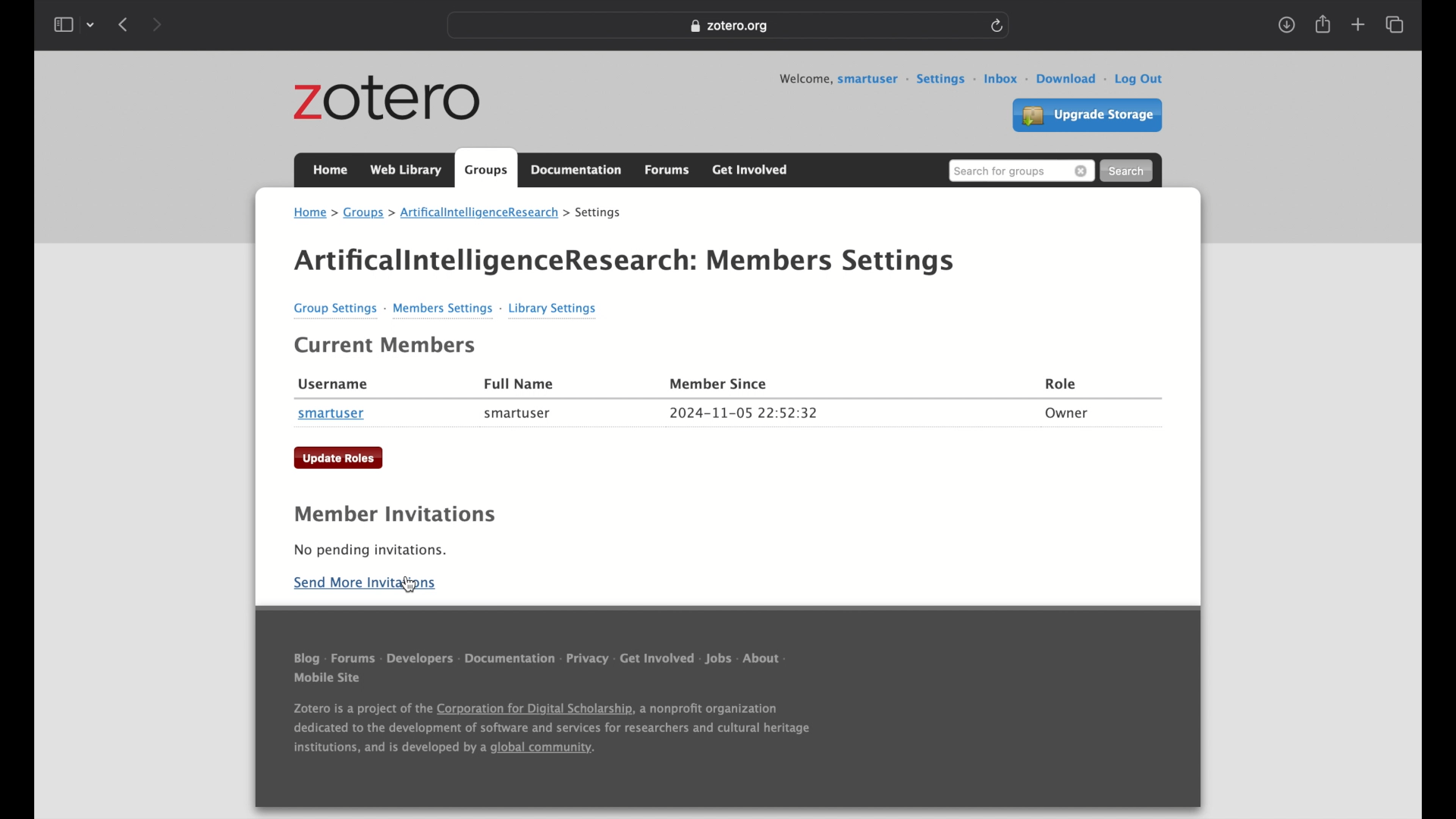  What do you see at coordinates (1000, 26) in the screenshot?
I see `refresh` at bounding box center [1000, 26].